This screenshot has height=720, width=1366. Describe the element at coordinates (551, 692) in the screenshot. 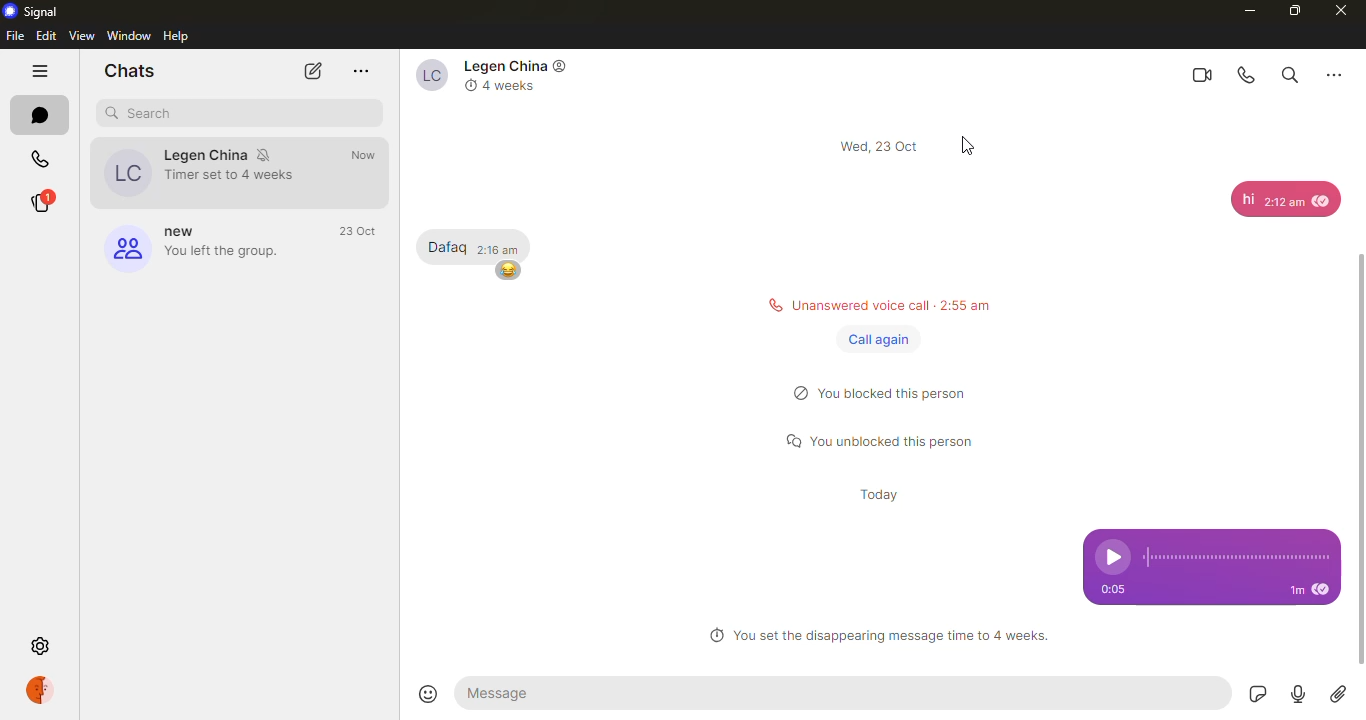

I see `message` at that location.